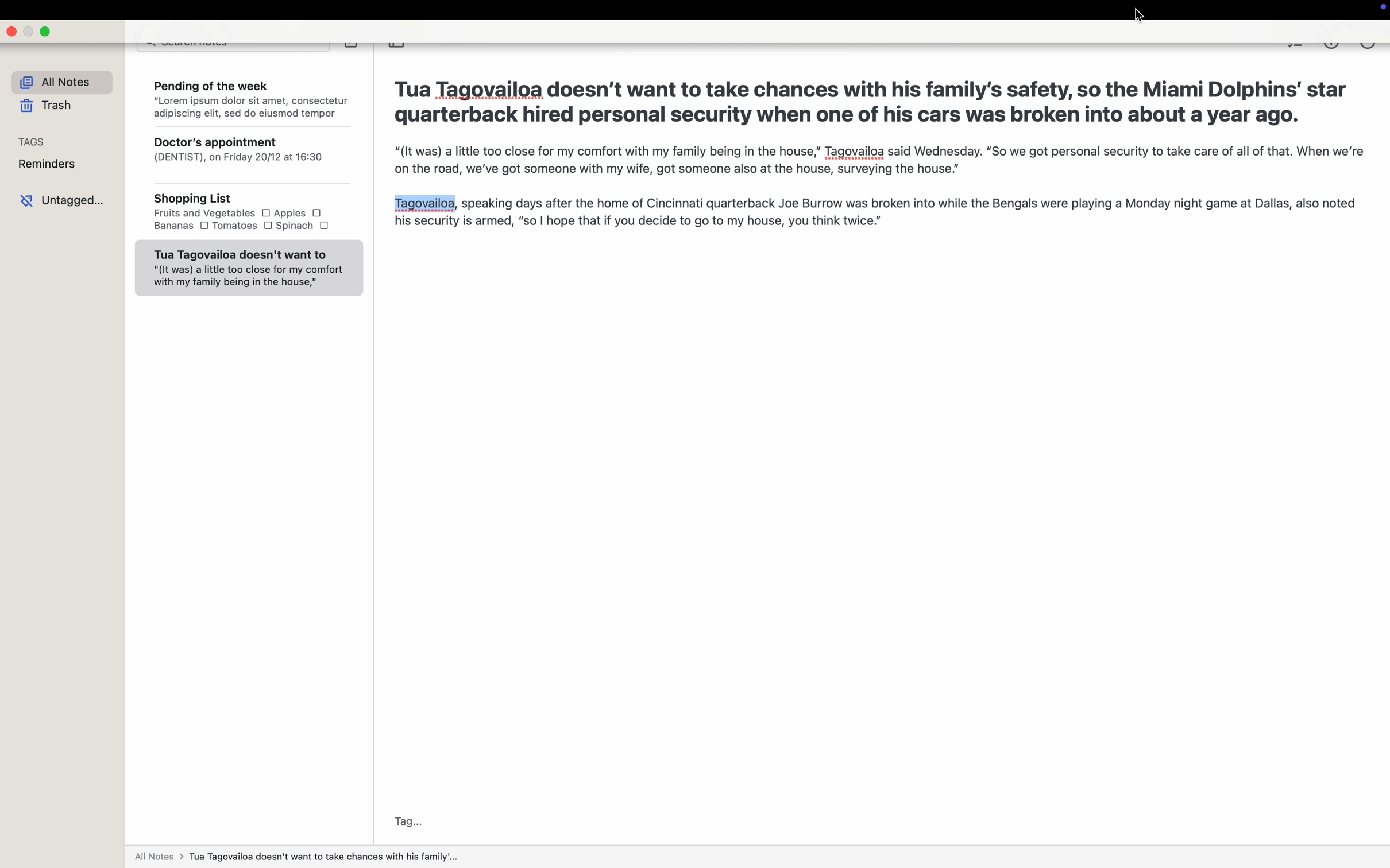 This screenshot has height=868, width=1390. I want to click on “(It was) a little too close for my comfort with my family being in the house,” Tagovailoa said Wednesday. “So we got personal security to take care of all of that. When we're
on the road, we've got someone with my wife, got someone also at the house, surveying the house.”, so click(874, 161).